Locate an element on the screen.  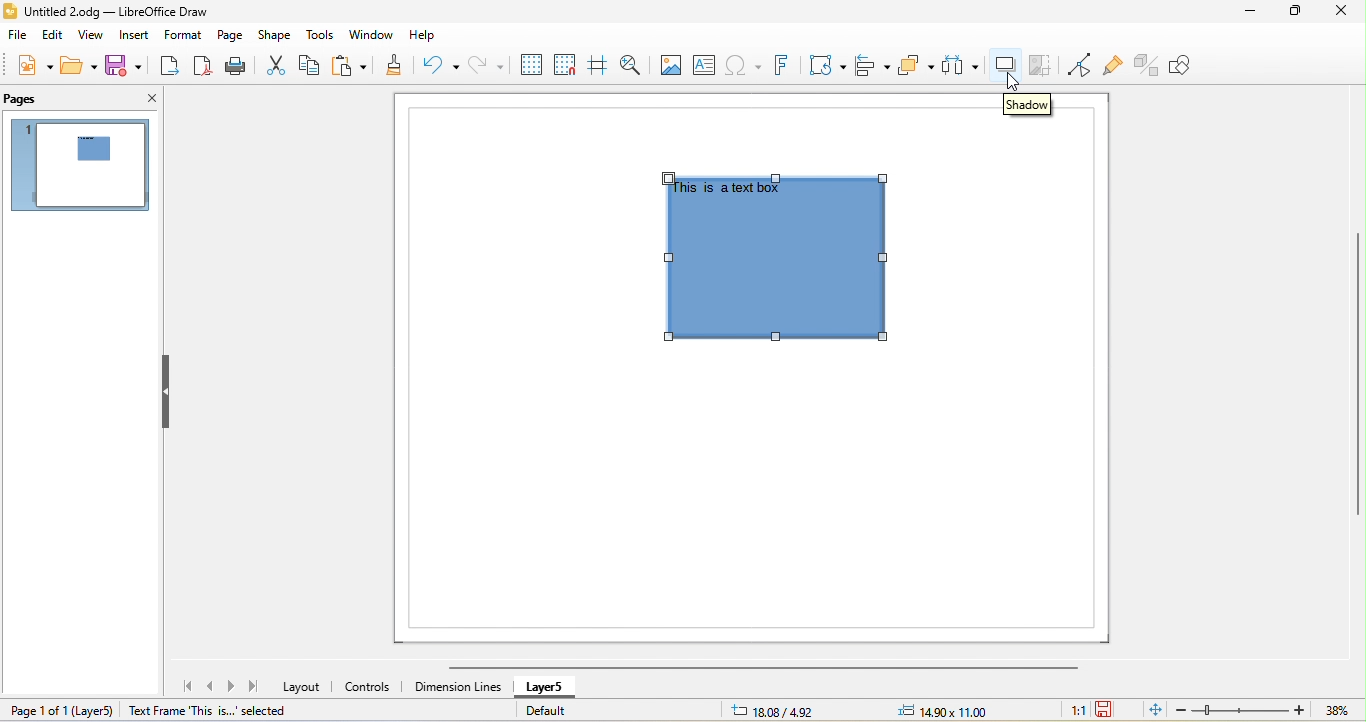
close is located at coordinates (1342, 10).